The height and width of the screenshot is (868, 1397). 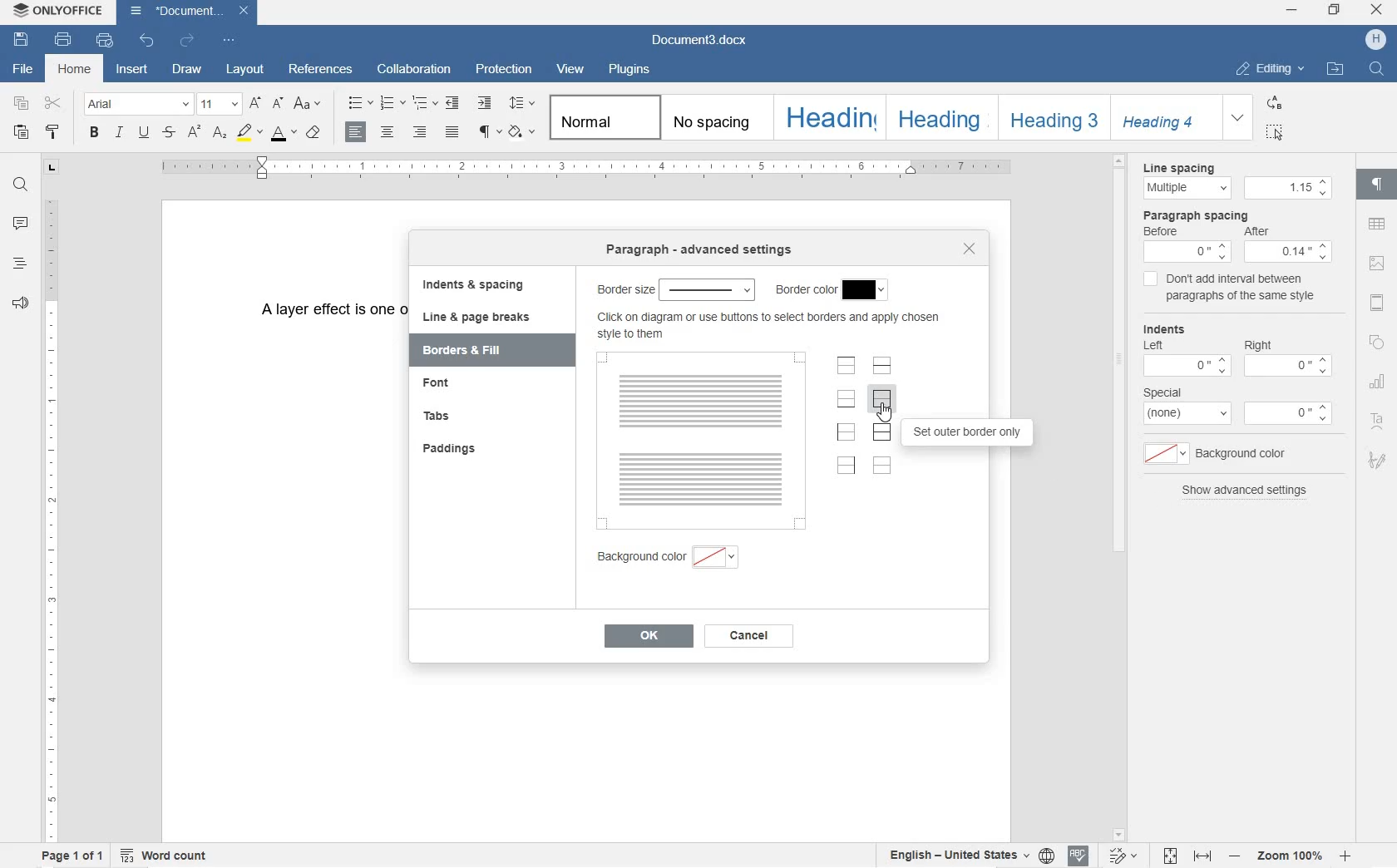 I want to click on QUICK PRINT, so click(x=105, y=42).